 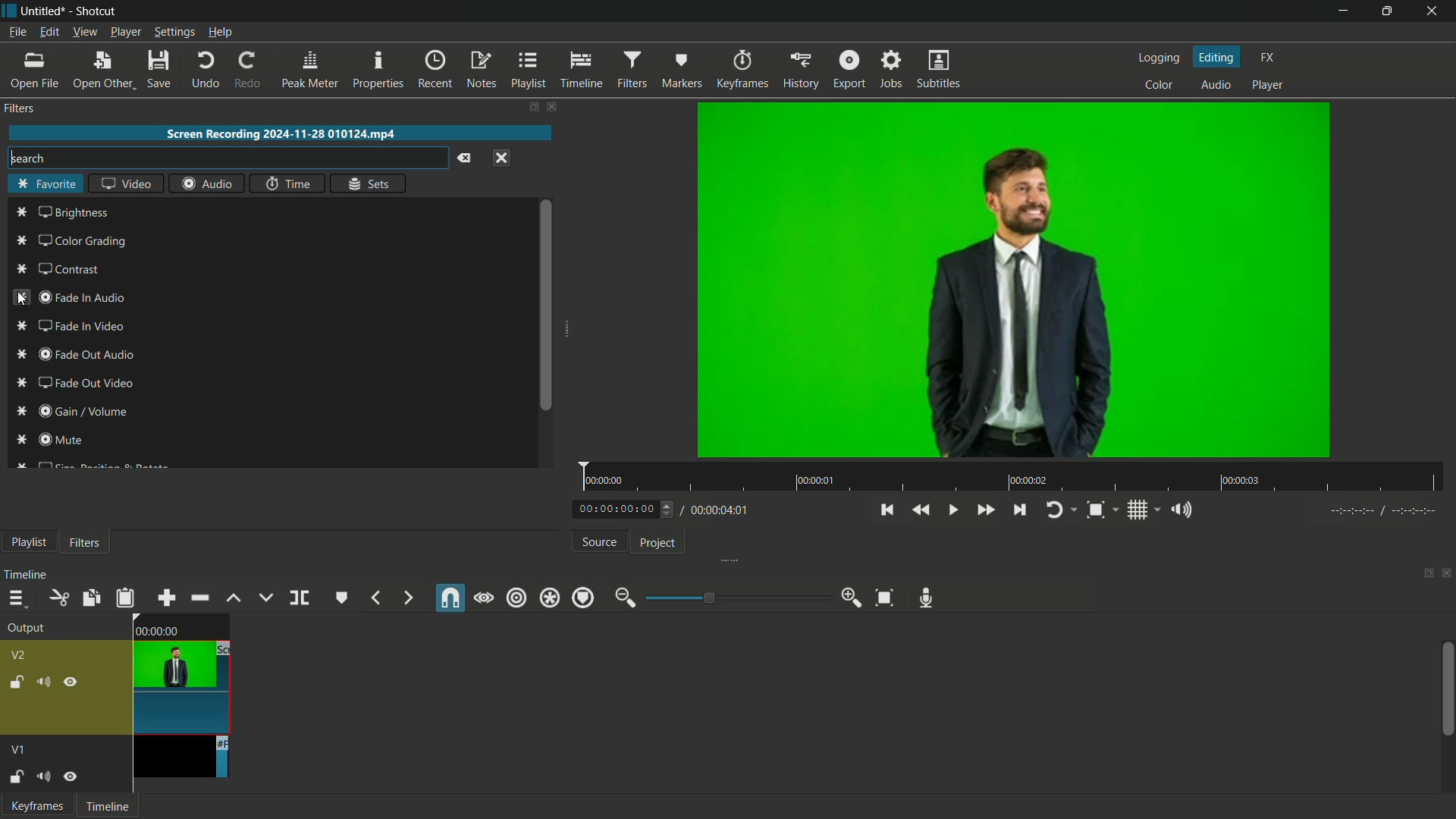 I want to click on mute, so click(x=42, y=776).